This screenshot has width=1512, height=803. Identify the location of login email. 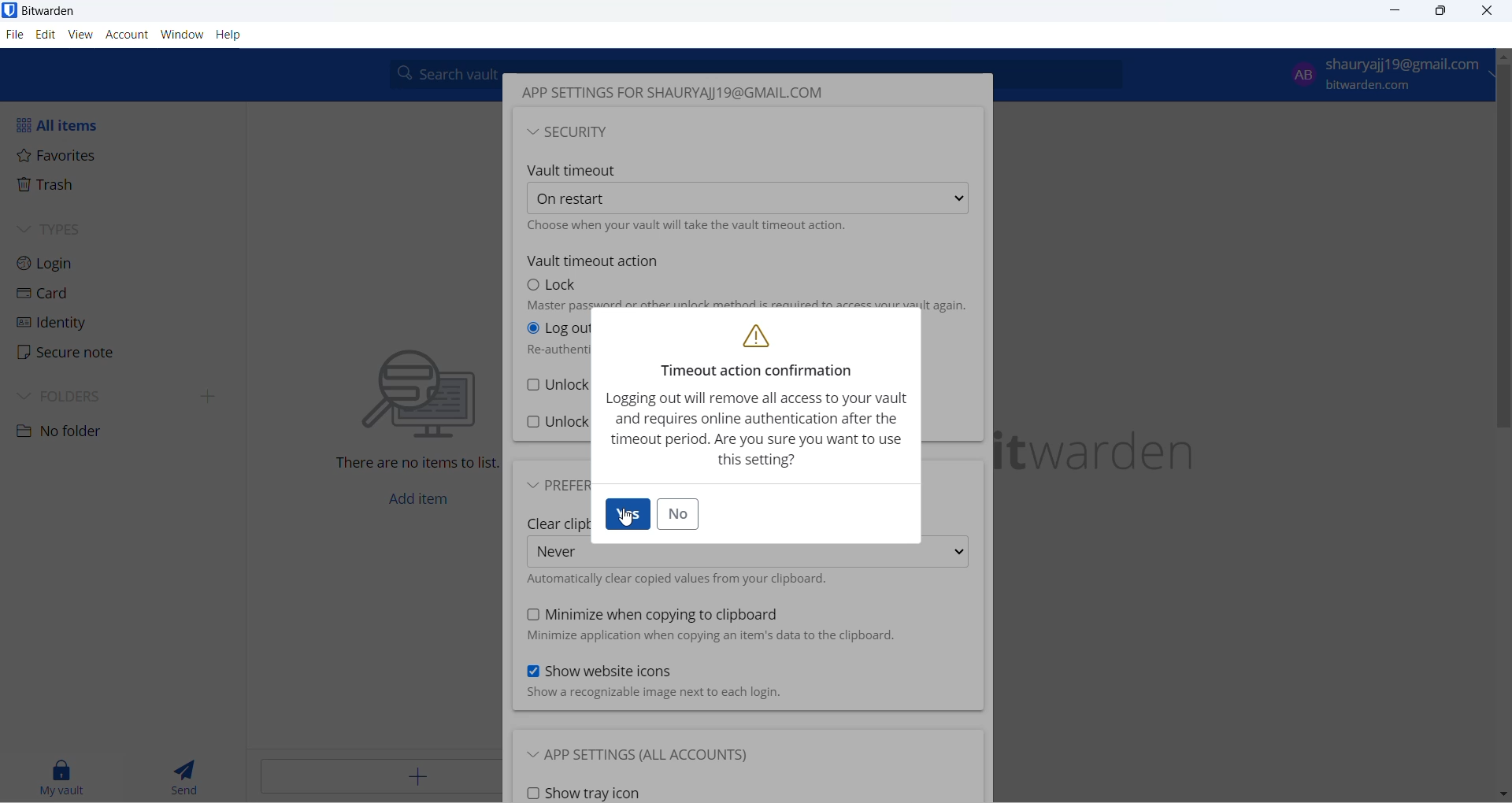
(1379, 75).